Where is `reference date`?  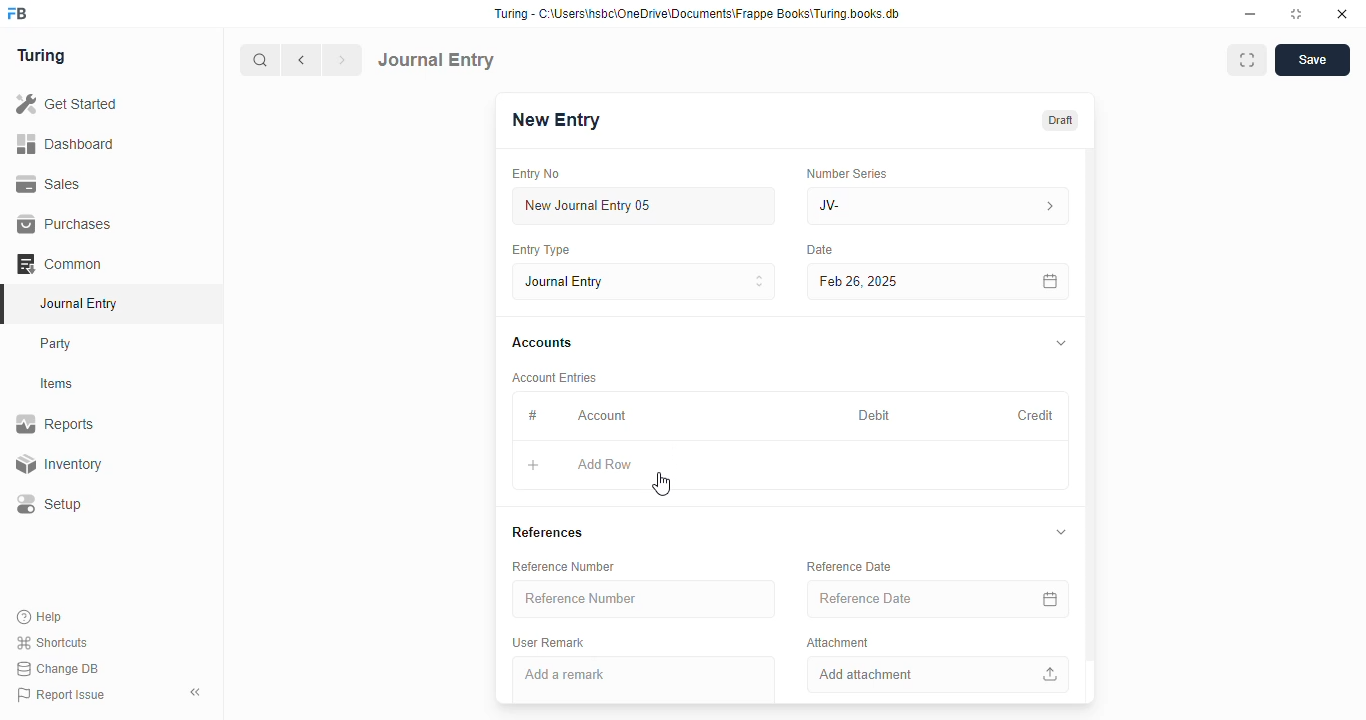 reference date is located at coordinates (907, 599).